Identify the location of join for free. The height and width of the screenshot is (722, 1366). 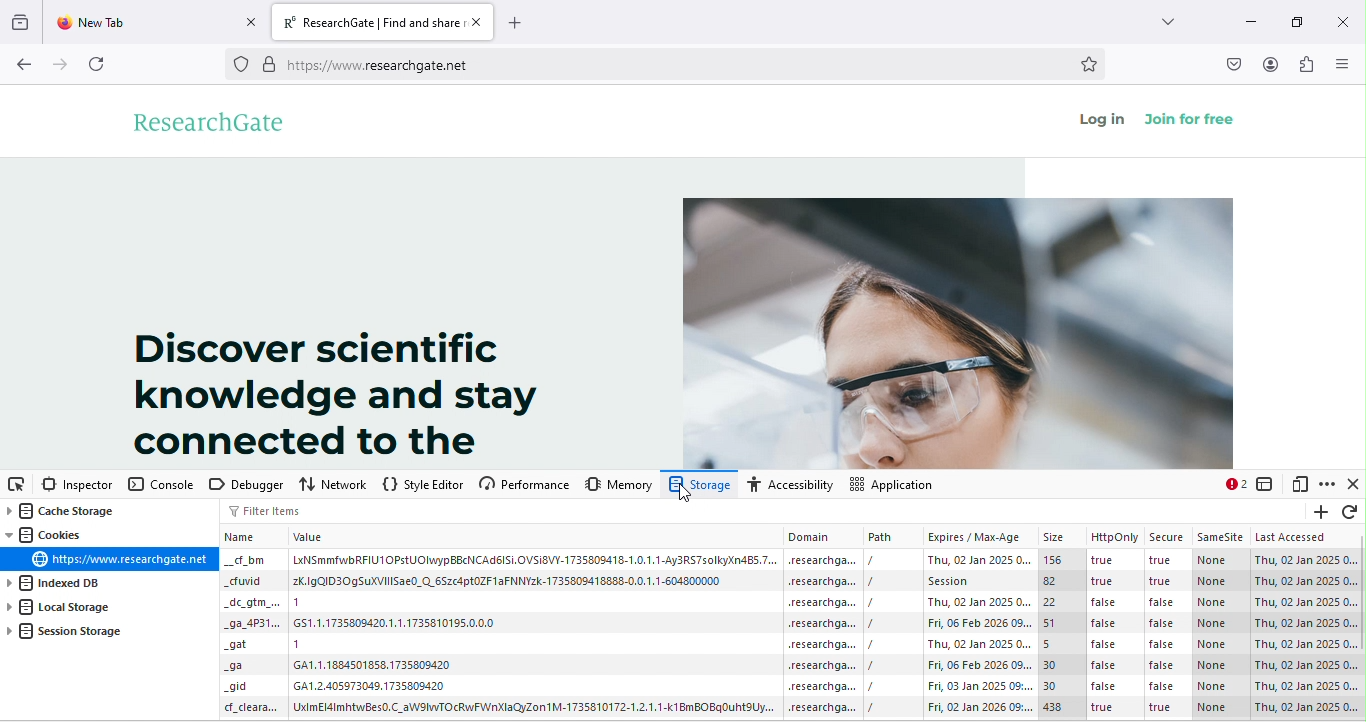
(1197, 122).